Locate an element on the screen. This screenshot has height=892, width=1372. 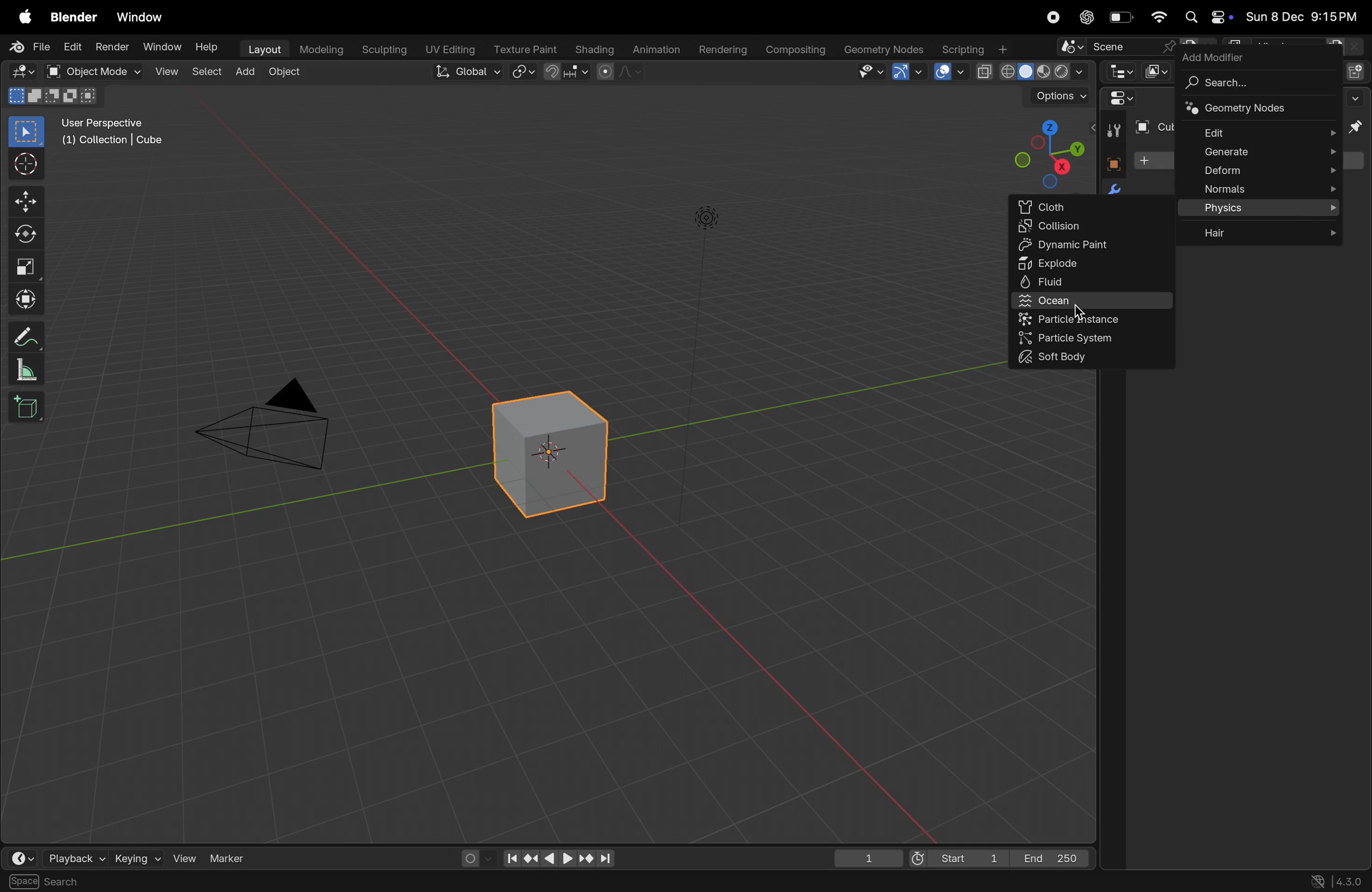
help is located at coordinates (209, 50).